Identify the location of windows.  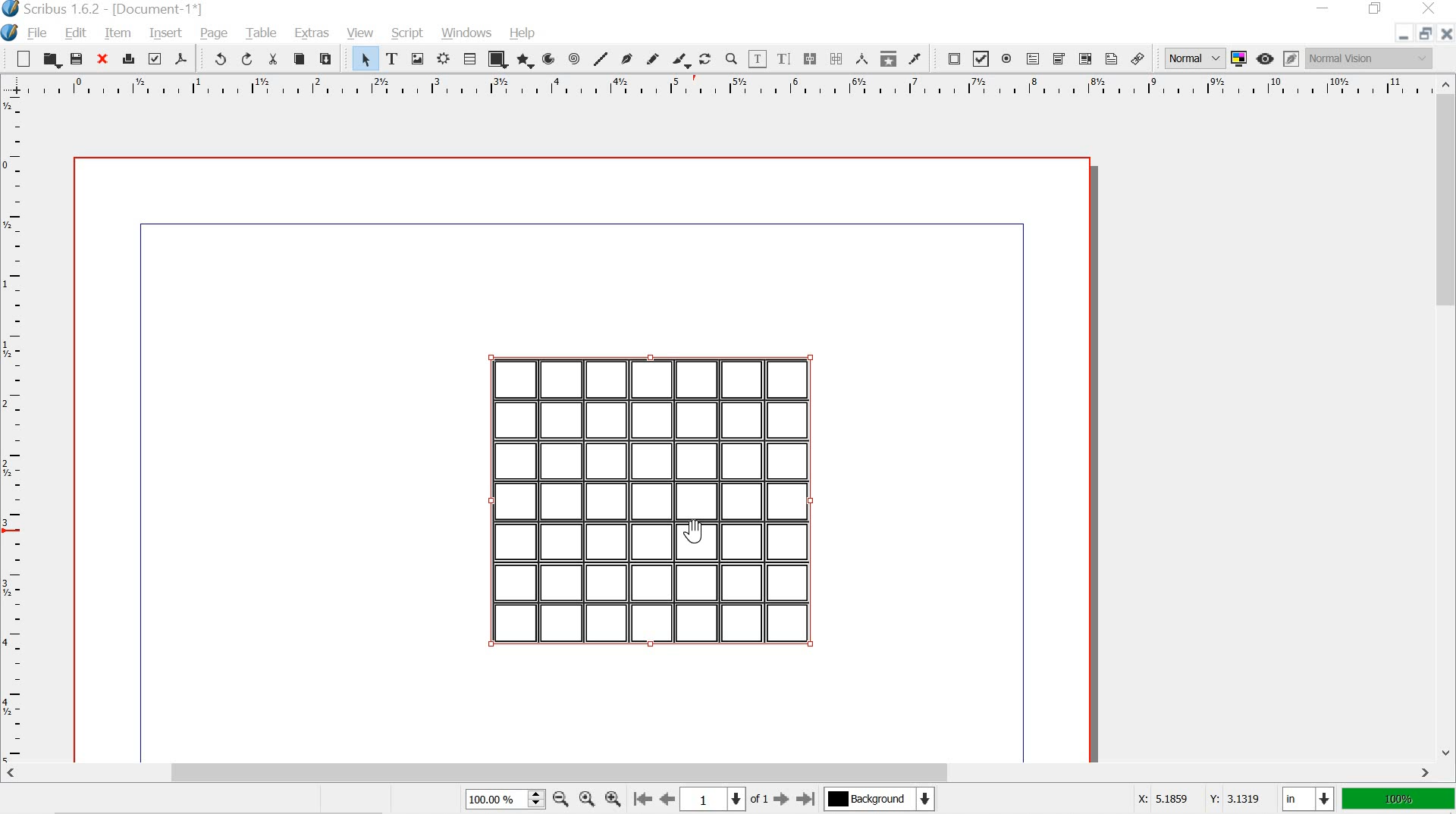
(469, 33).